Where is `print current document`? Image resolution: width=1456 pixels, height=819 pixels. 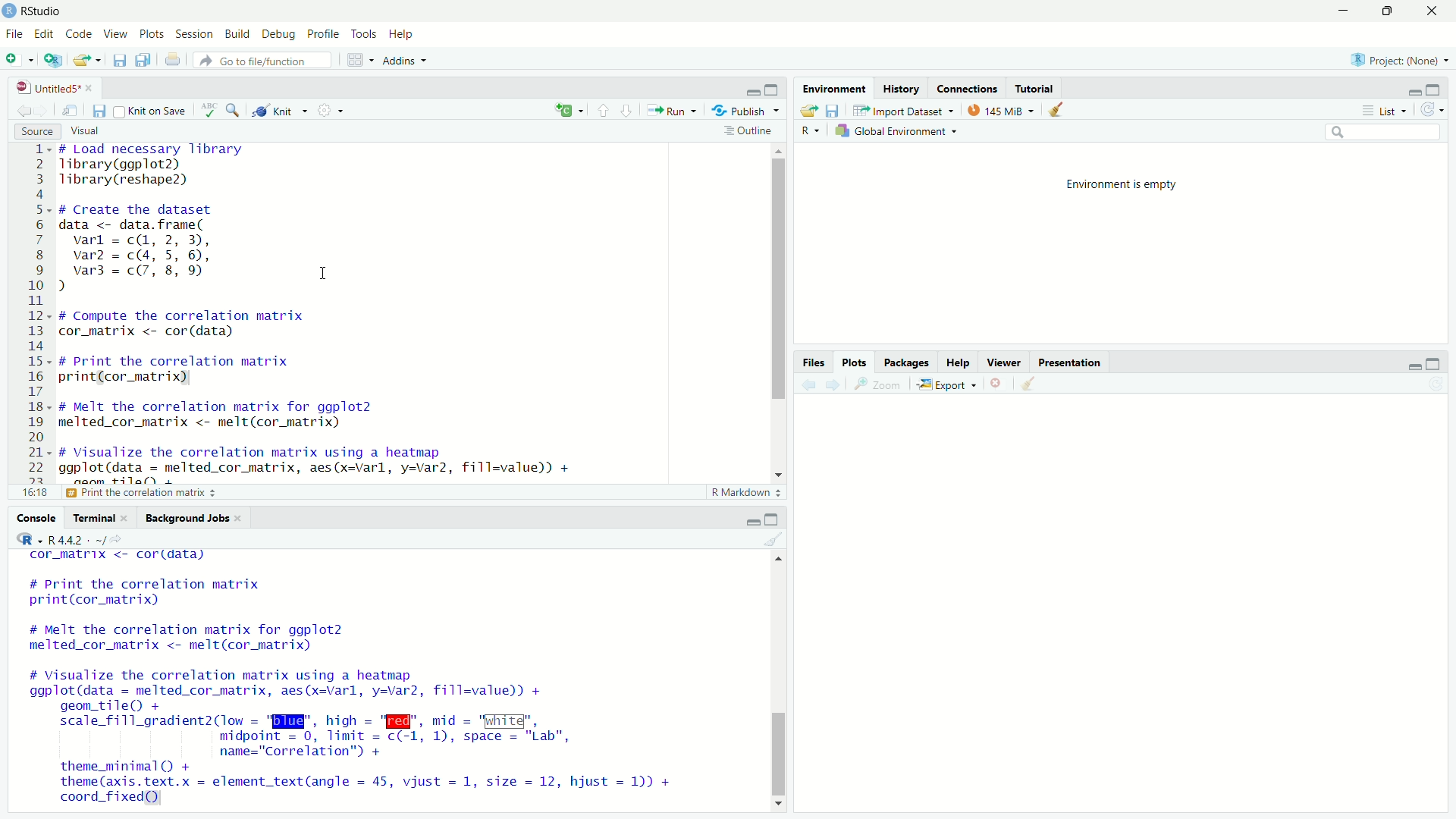
print current document is located at coordinates (173, 60).